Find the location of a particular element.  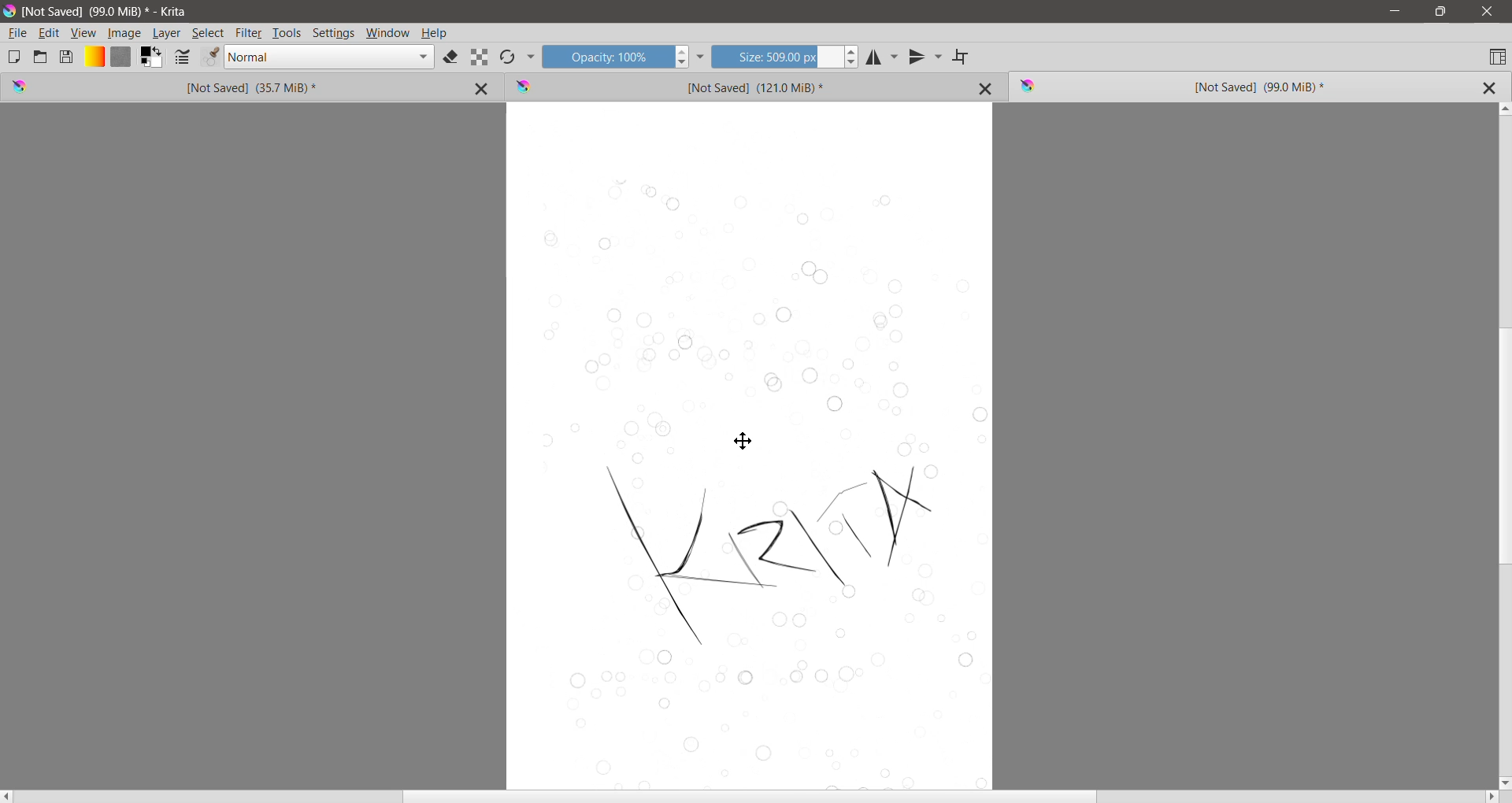

Minimize is located at coordinates (1395, 11).